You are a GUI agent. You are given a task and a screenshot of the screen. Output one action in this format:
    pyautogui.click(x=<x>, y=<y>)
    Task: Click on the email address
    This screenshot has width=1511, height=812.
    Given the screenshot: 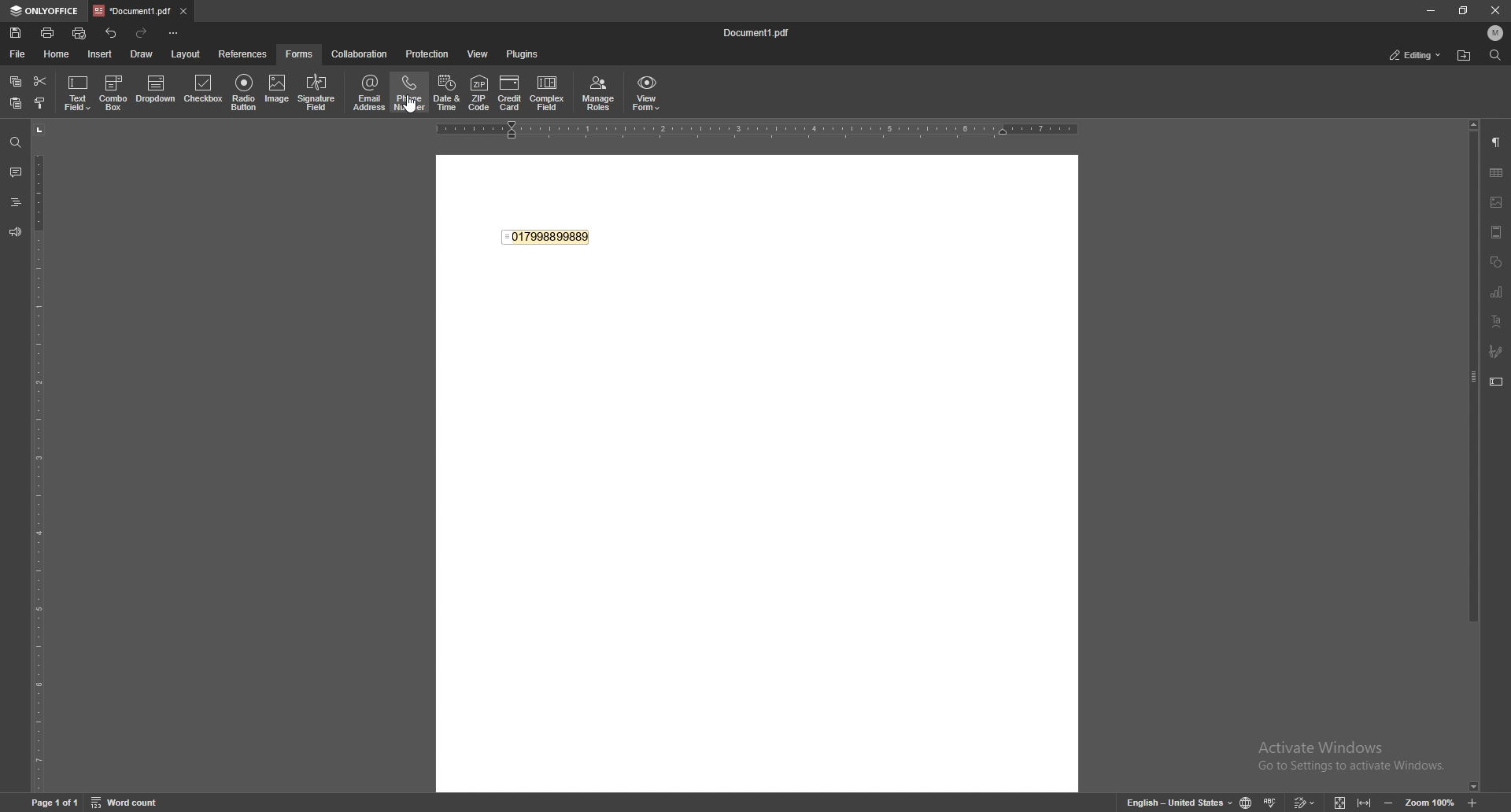 What is the action you would take?
    pyautogui.click(x=369, y=92)
    